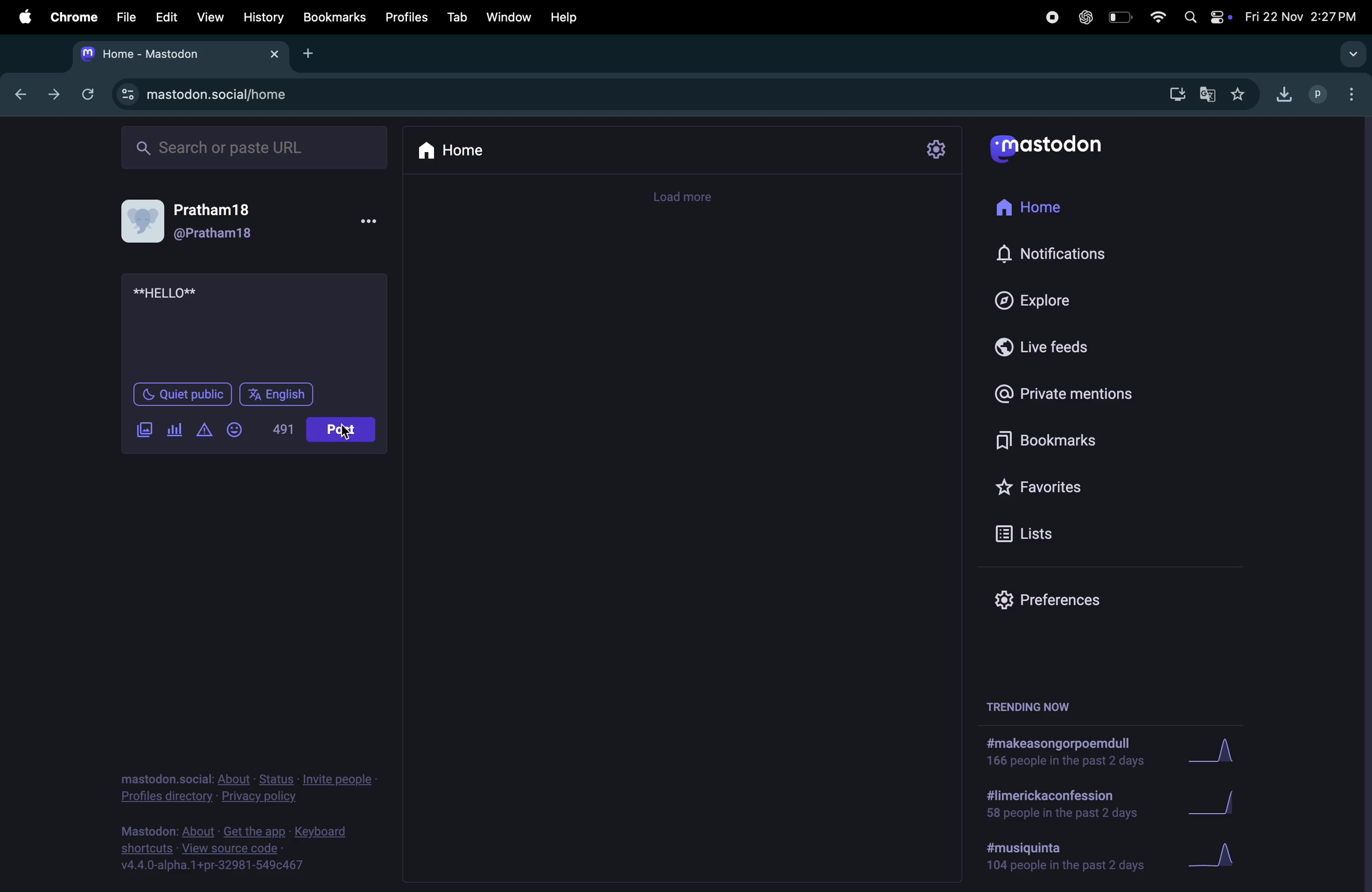 This screenshot has height=892, width=1372. What do you see at coordinates (1083, 437) in the screenshot?
I see `bookmarks` at bounding box center [1083, 437].